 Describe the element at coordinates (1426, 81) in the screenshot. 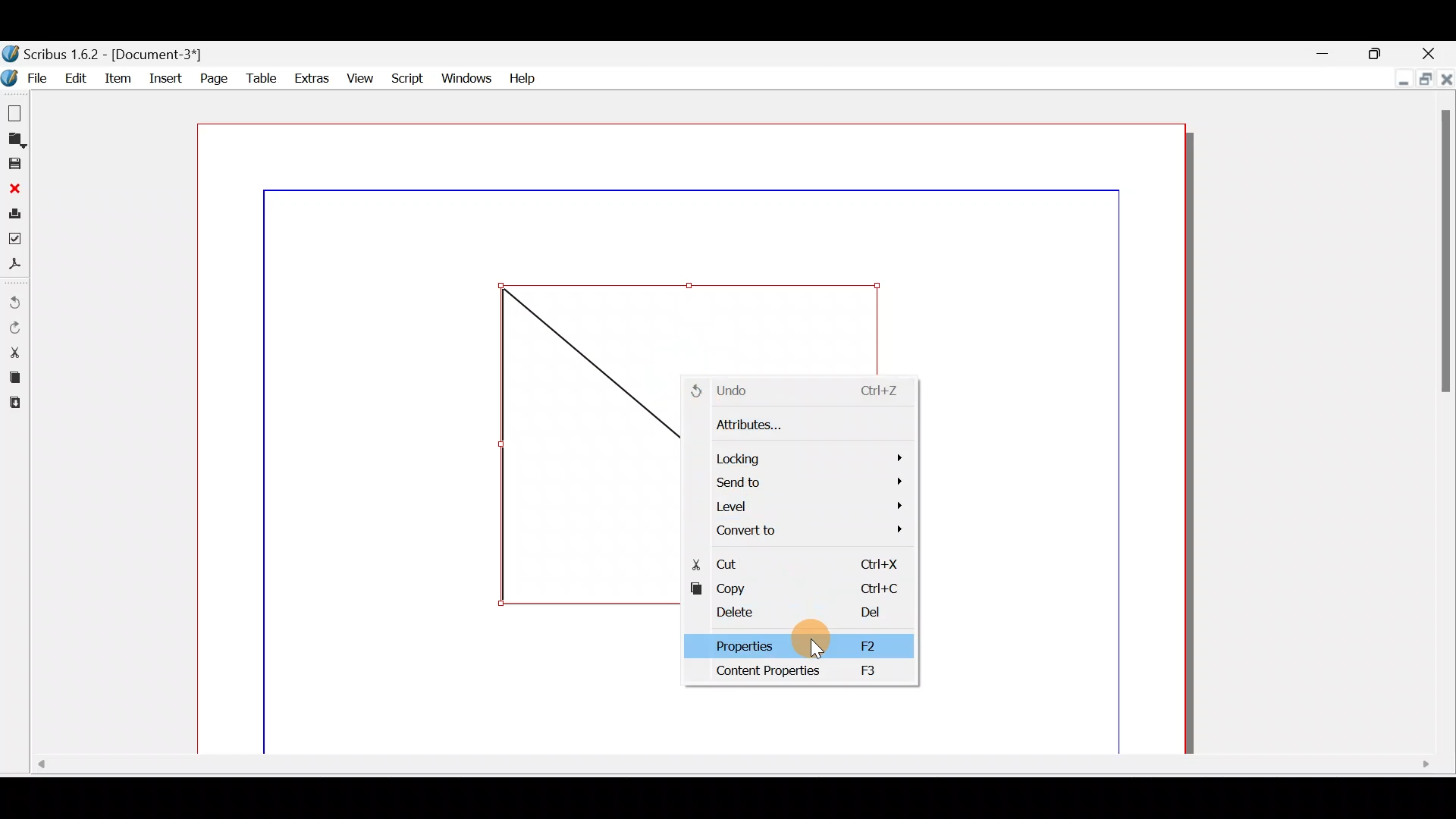

I see `Maximise` at that location.